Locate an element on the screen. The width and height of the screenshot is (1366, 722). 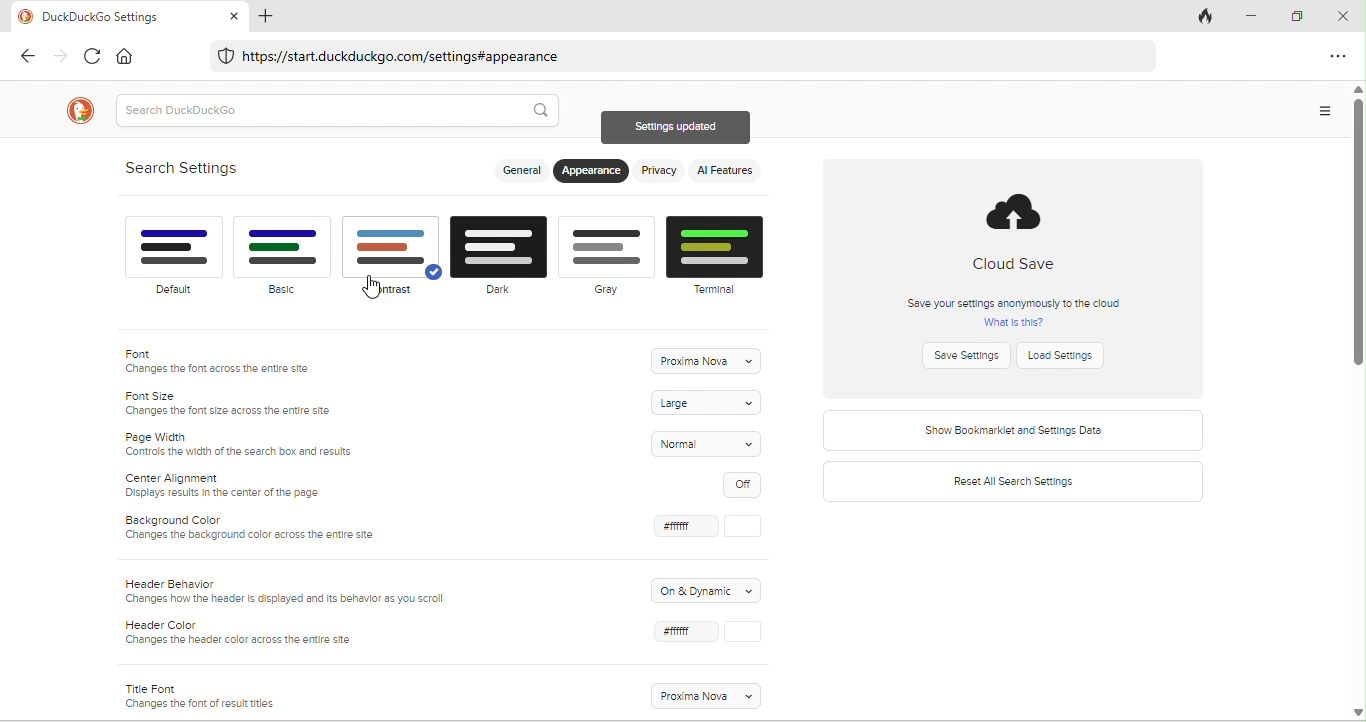
track tab is located at coordinates (1207, 18).